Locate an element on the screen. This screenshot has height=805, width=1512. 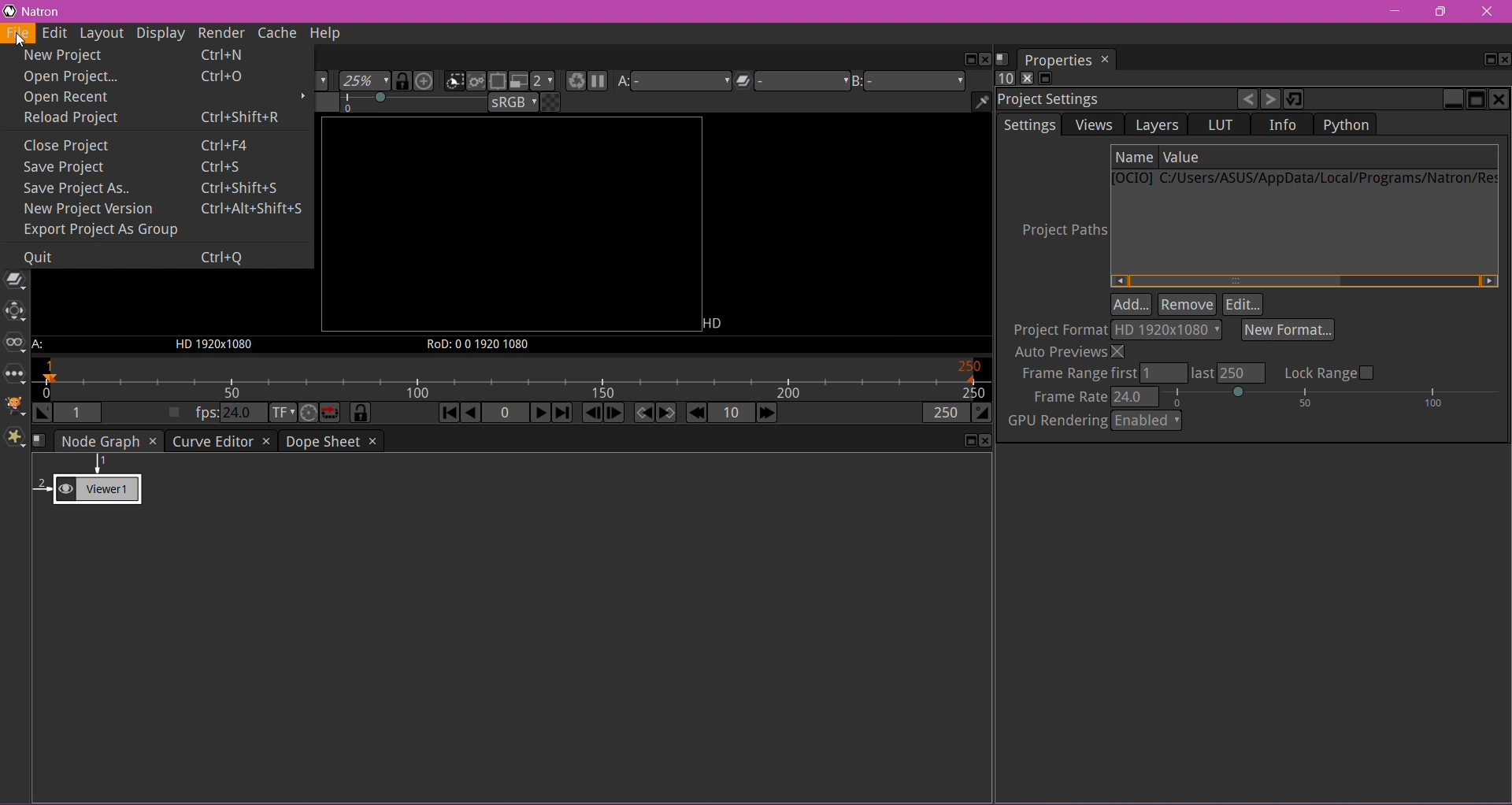
Other is located at coordinates (16, 376).